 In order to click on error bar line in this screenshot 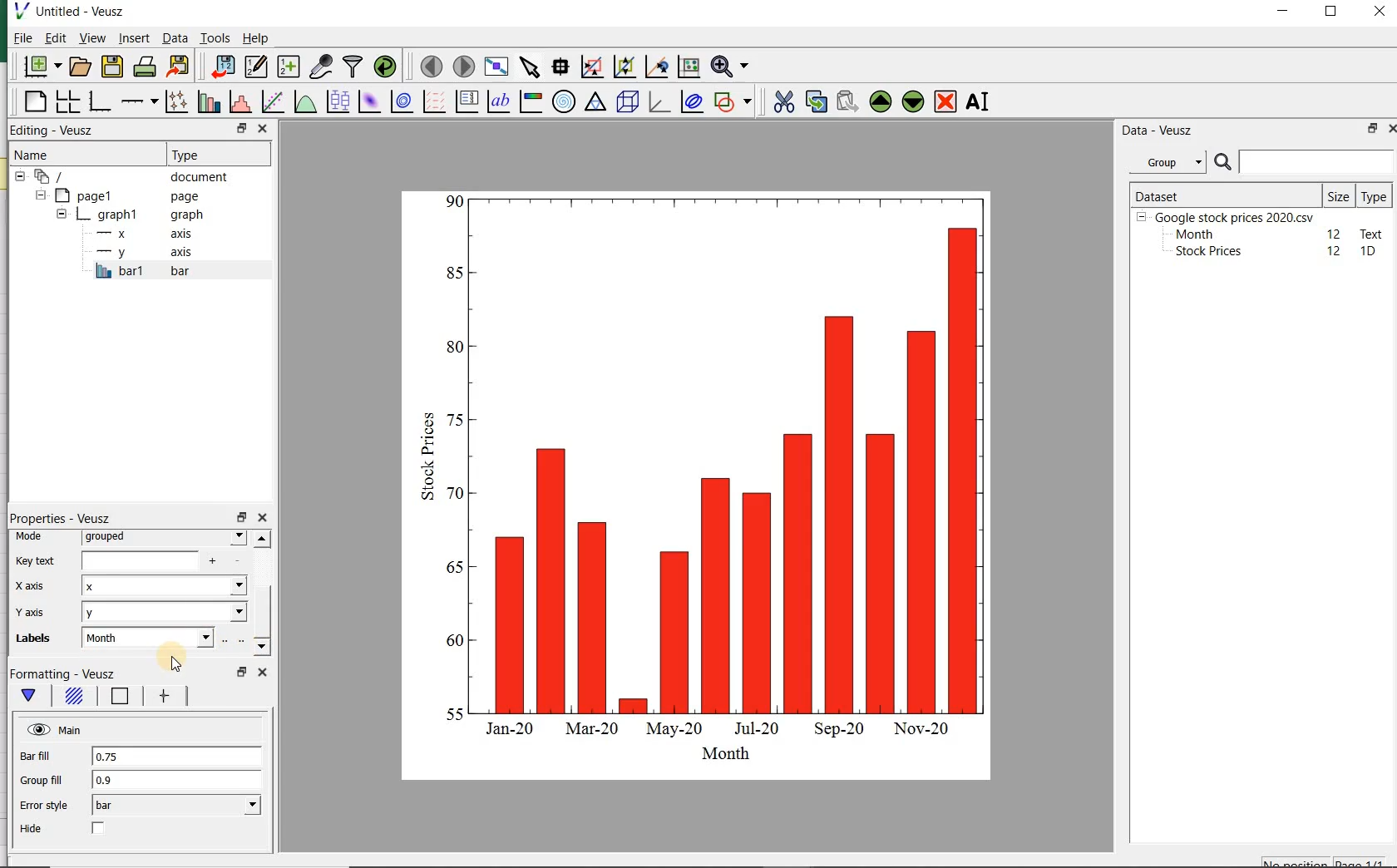, I will do `click(166, 697)`.